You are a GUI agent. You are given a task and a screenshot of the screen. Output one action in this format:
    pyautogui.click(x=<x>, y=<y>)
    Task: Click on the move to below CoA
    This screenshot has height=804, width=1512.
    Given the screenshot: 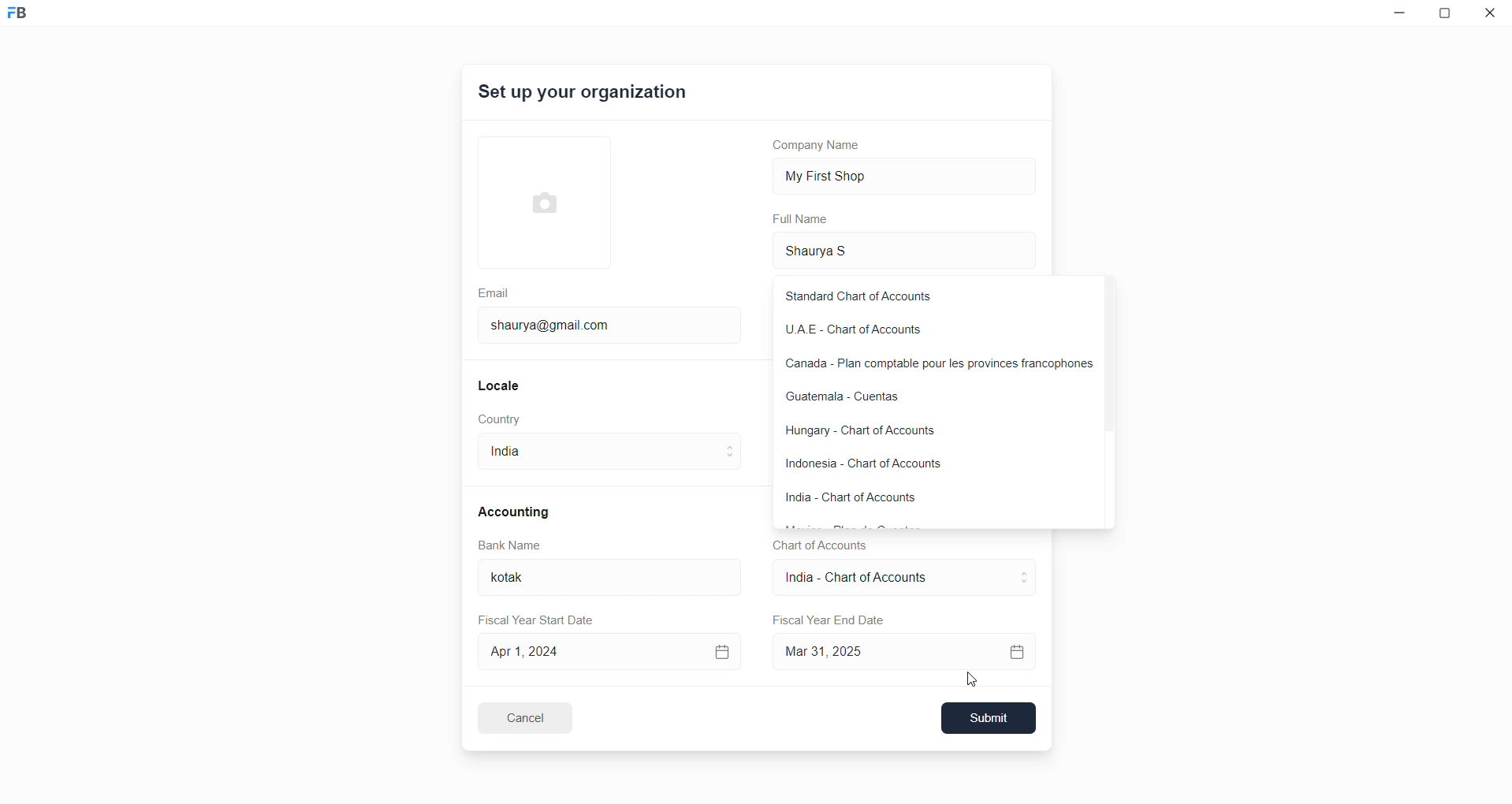 What is the action you would take?
    pyautogui.click(x=1026, y=585)
    